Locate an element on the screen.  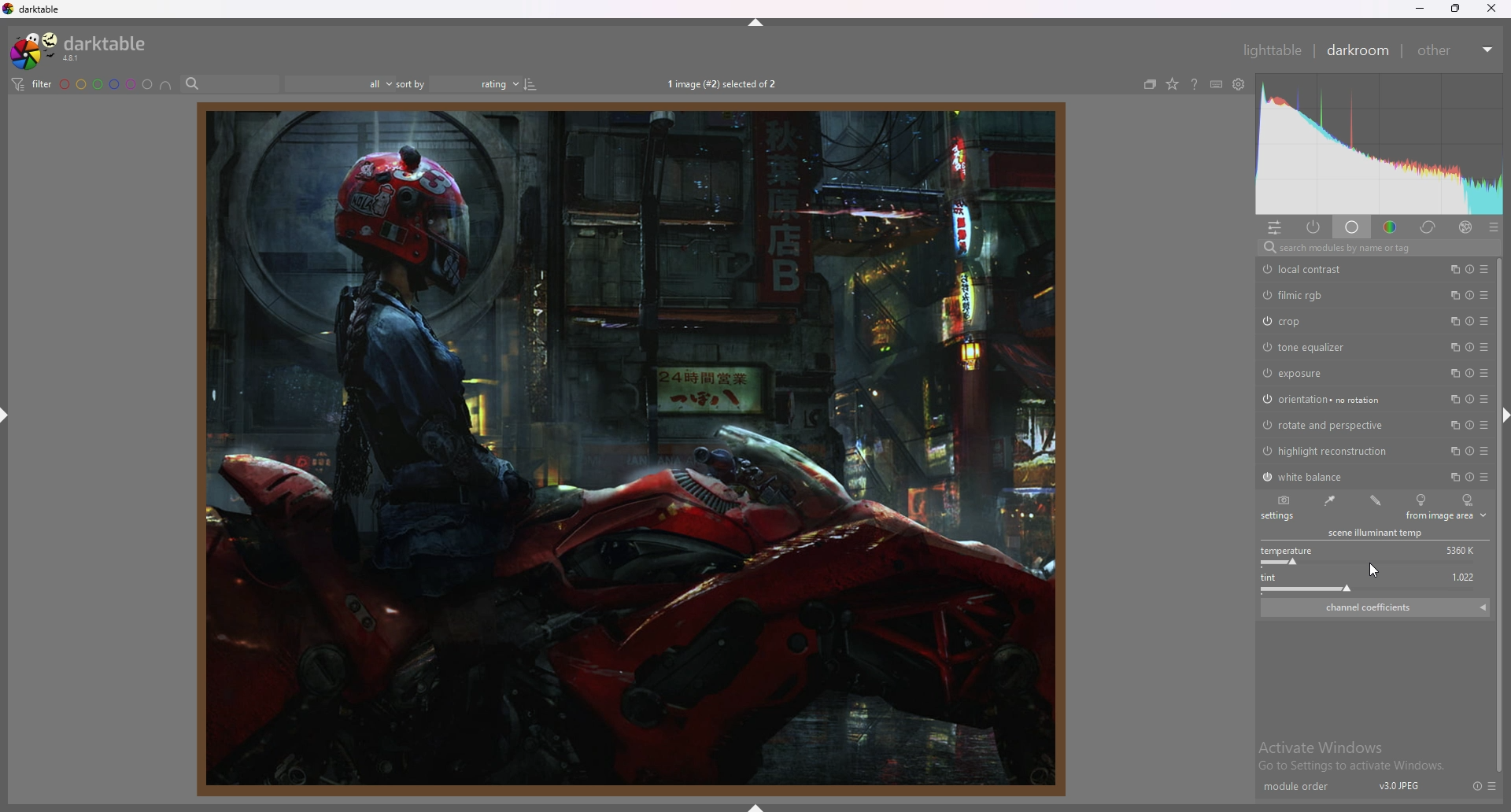
white balance is located at coordinates (1313, 476).